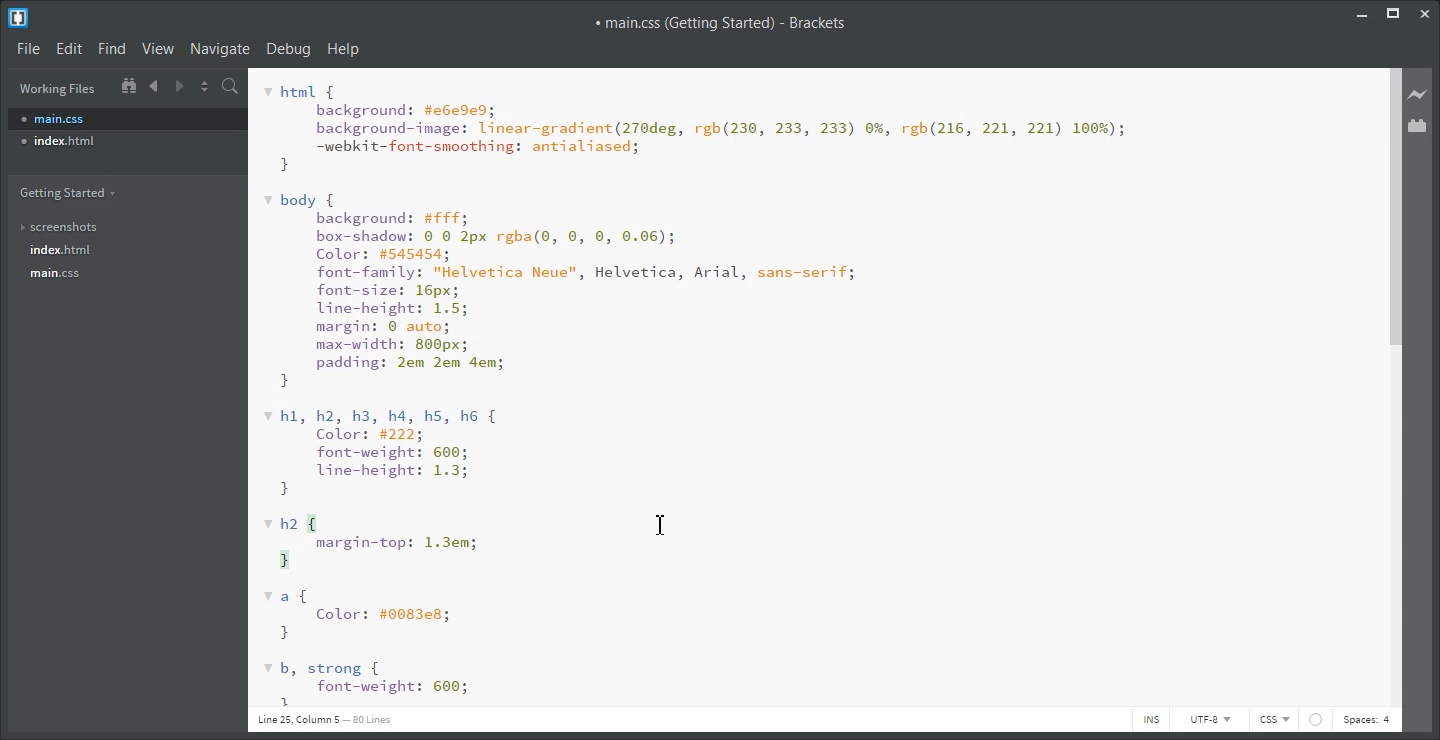 The width and height of the screenshot is (1440, 740). Describe the element at coordinates (344, 48) in the screenshot. I see `Help` at that location.